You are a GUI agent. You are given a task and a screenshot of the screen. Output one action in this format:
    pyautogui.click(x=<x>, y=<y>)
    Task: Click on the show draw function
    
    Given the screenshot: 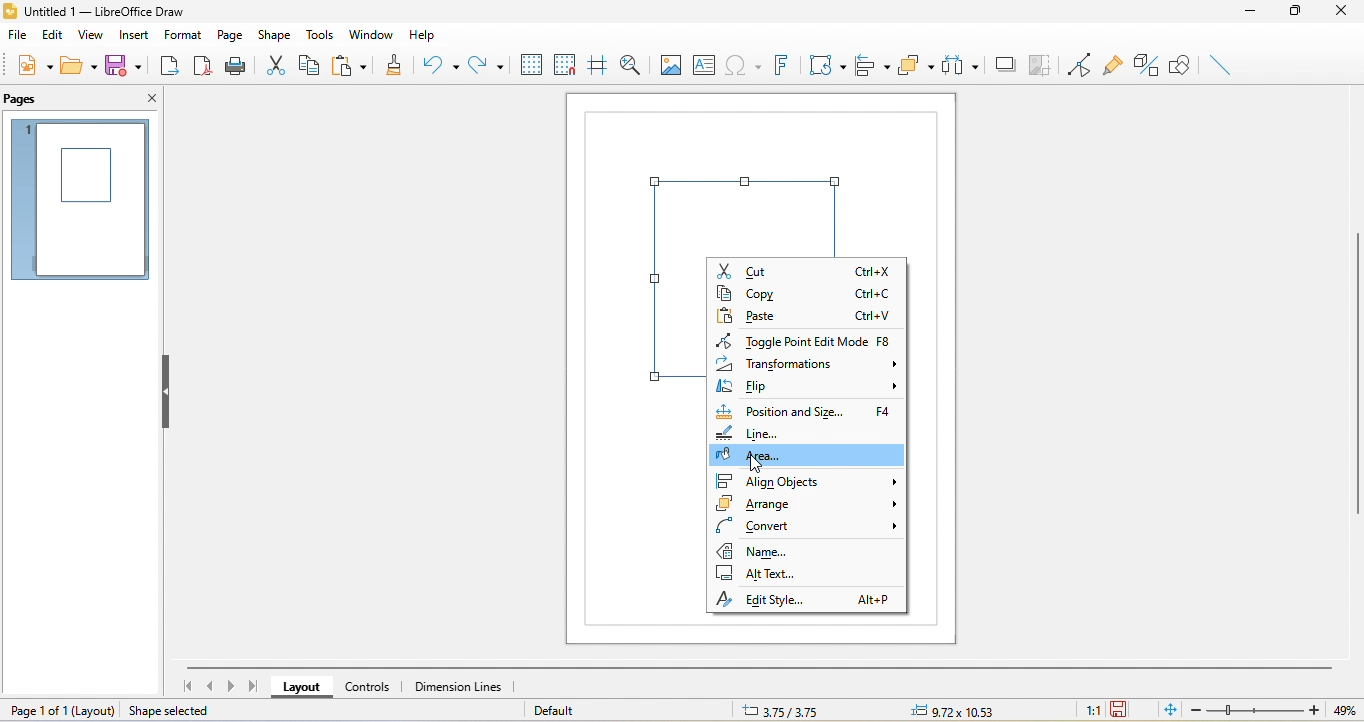 What is the action you would take?
    pyautogui.click(x=1182, y=62)
    